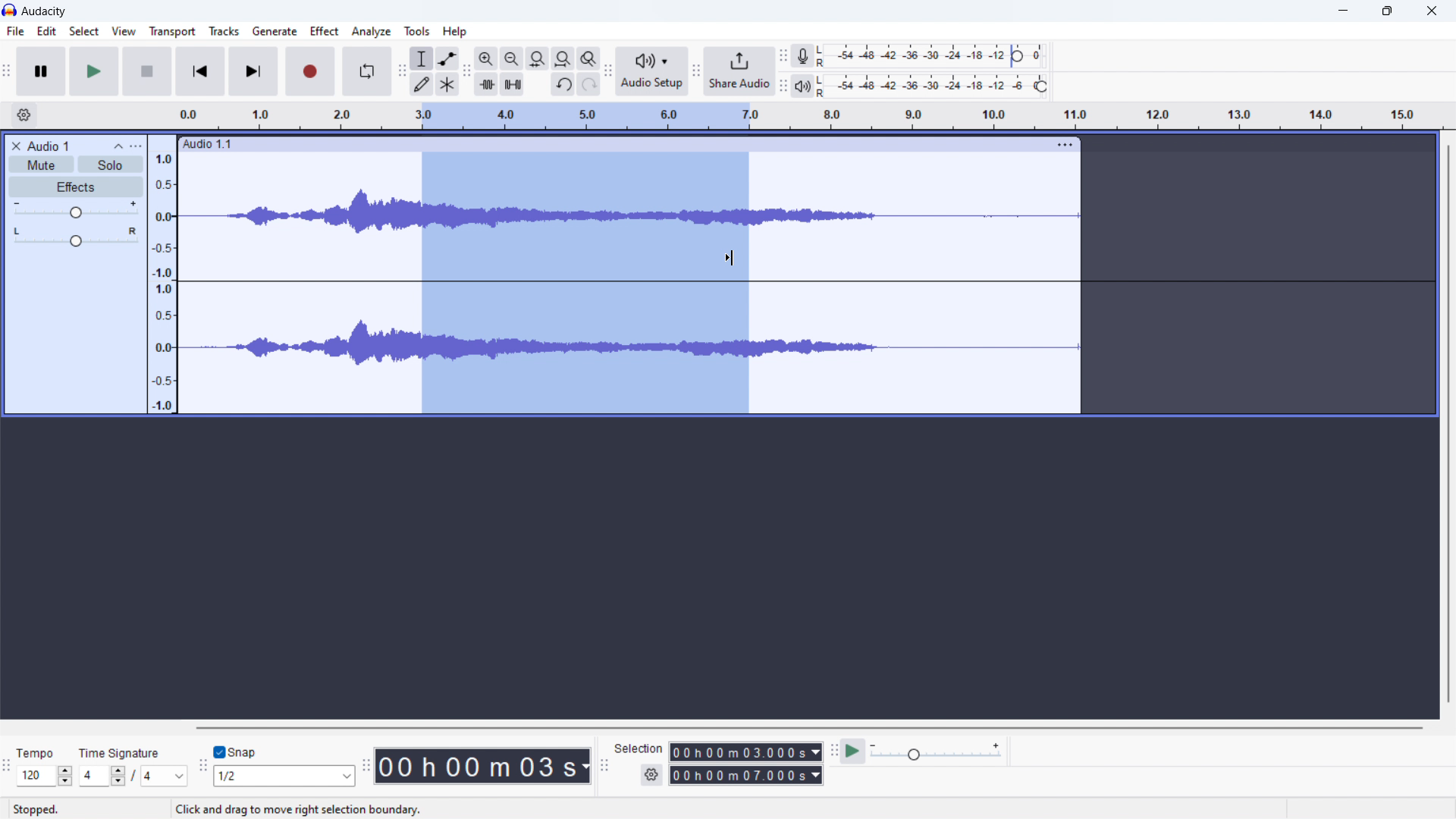  Describe the element at coordinates (610, 143) in the screenshot. I see `Audio 1.1` at that location.